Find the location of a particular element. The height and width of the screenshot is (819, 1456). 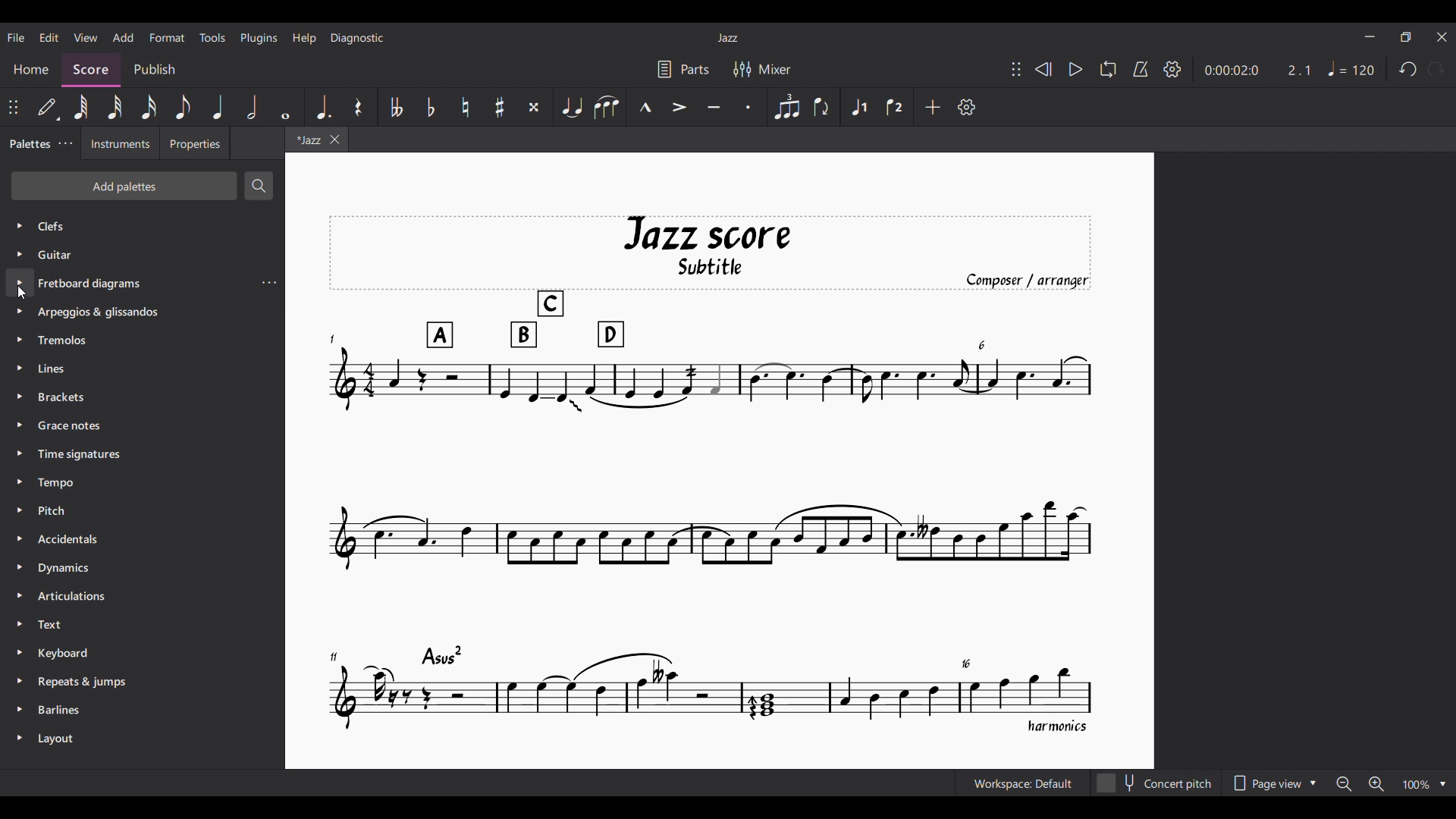

Help menu is located at coordinates (305, 39).